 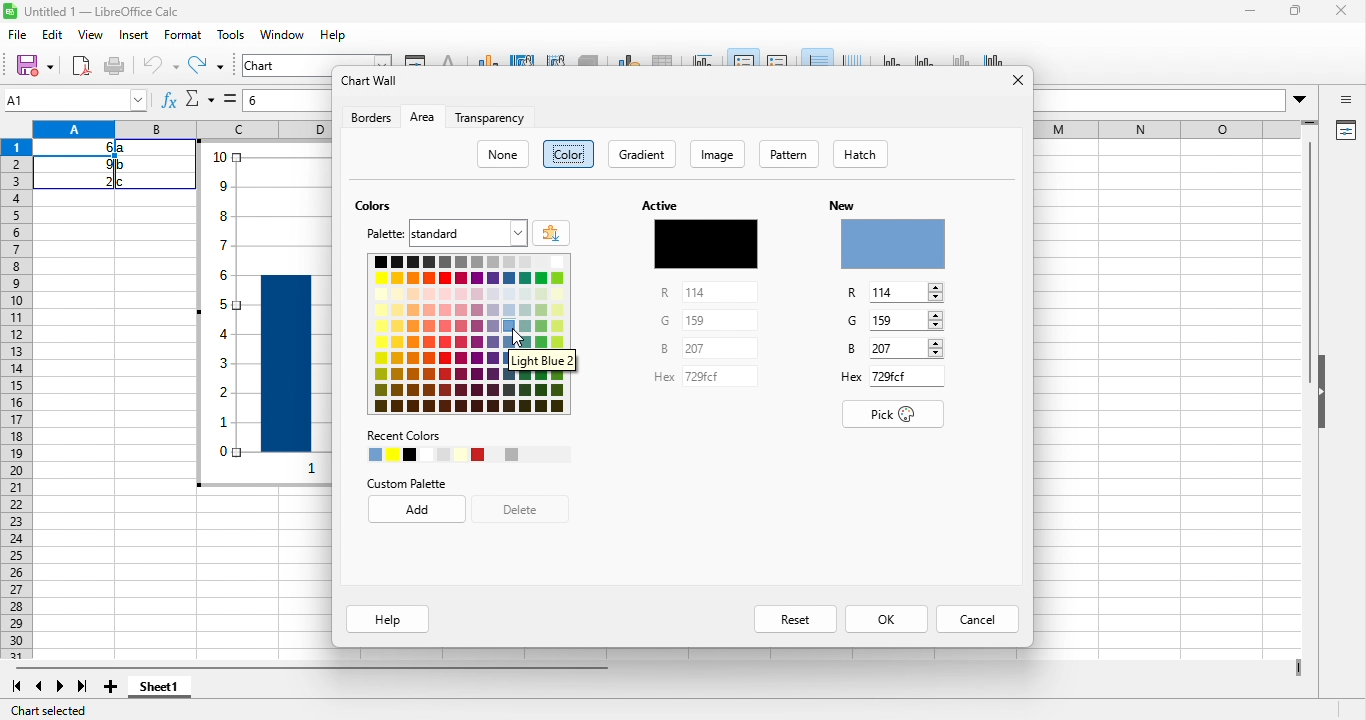 What do you see at coordinates (113, 690) in the screenshot?
I see `new sheet` at bounding box center [113, 690].